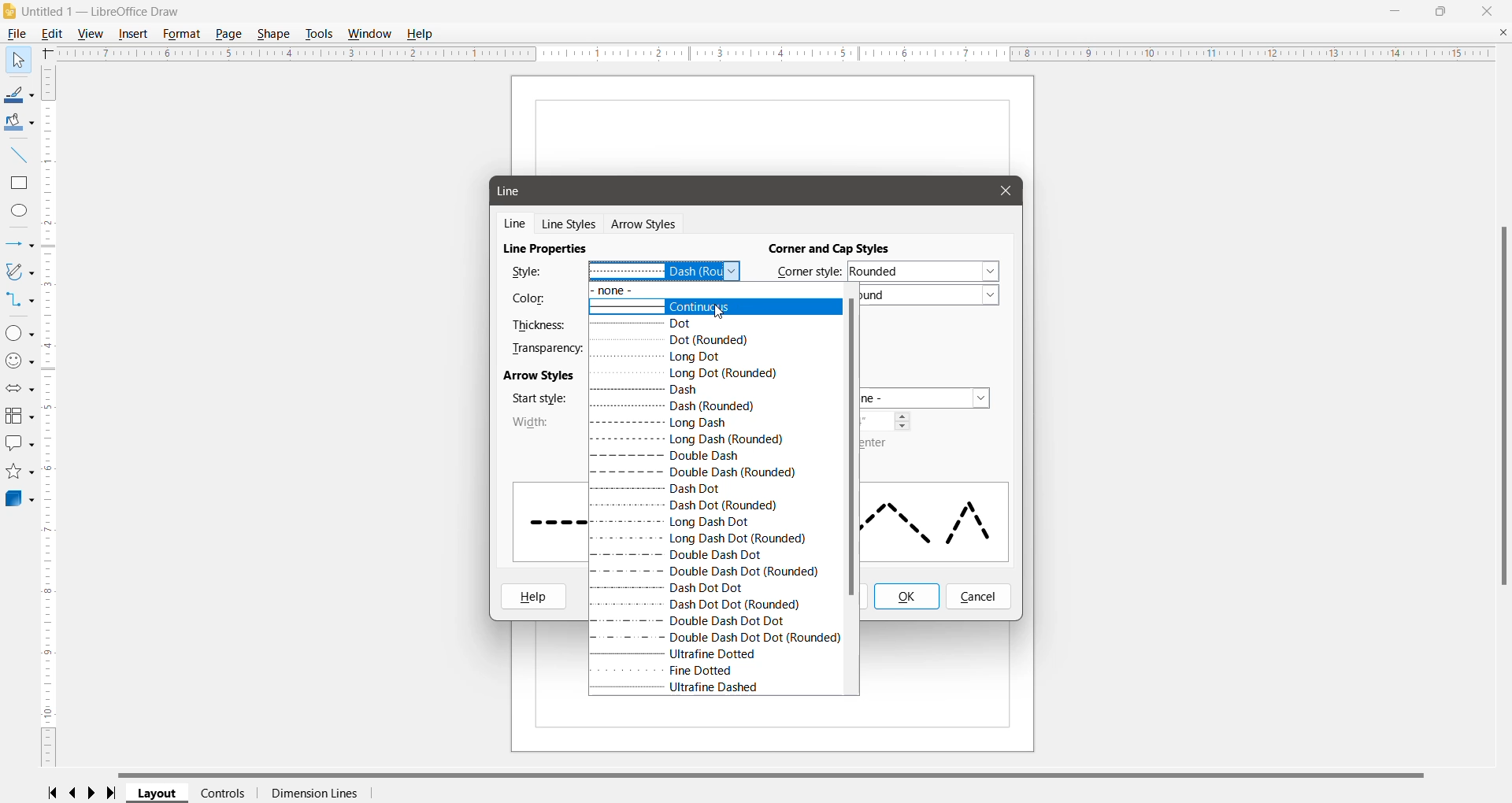 Image resolution: width=1512 pixels, height=803 pixels. What do you see at coordinates (20, 124) in the screenshot?
I see `Fill Color` at bounding box center [20, 124].